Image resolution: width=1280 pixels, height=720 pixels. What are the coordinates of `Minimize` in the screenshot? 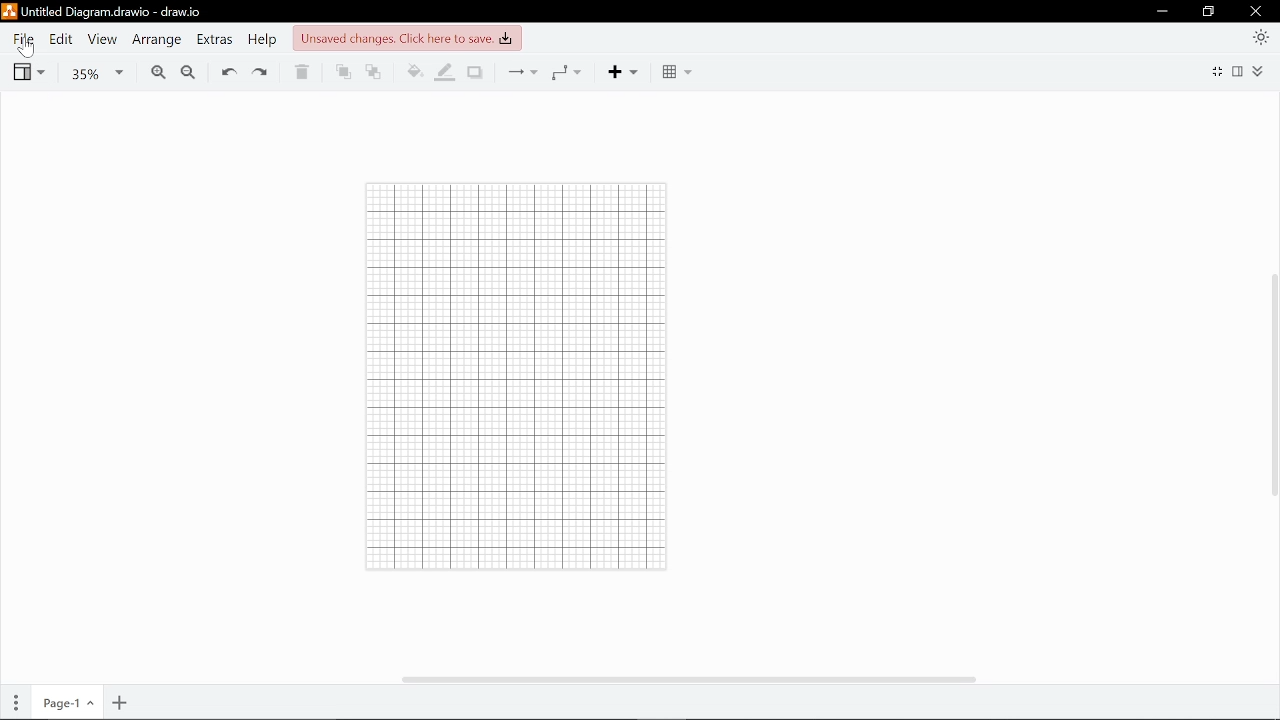 It's located at (1161, 11).